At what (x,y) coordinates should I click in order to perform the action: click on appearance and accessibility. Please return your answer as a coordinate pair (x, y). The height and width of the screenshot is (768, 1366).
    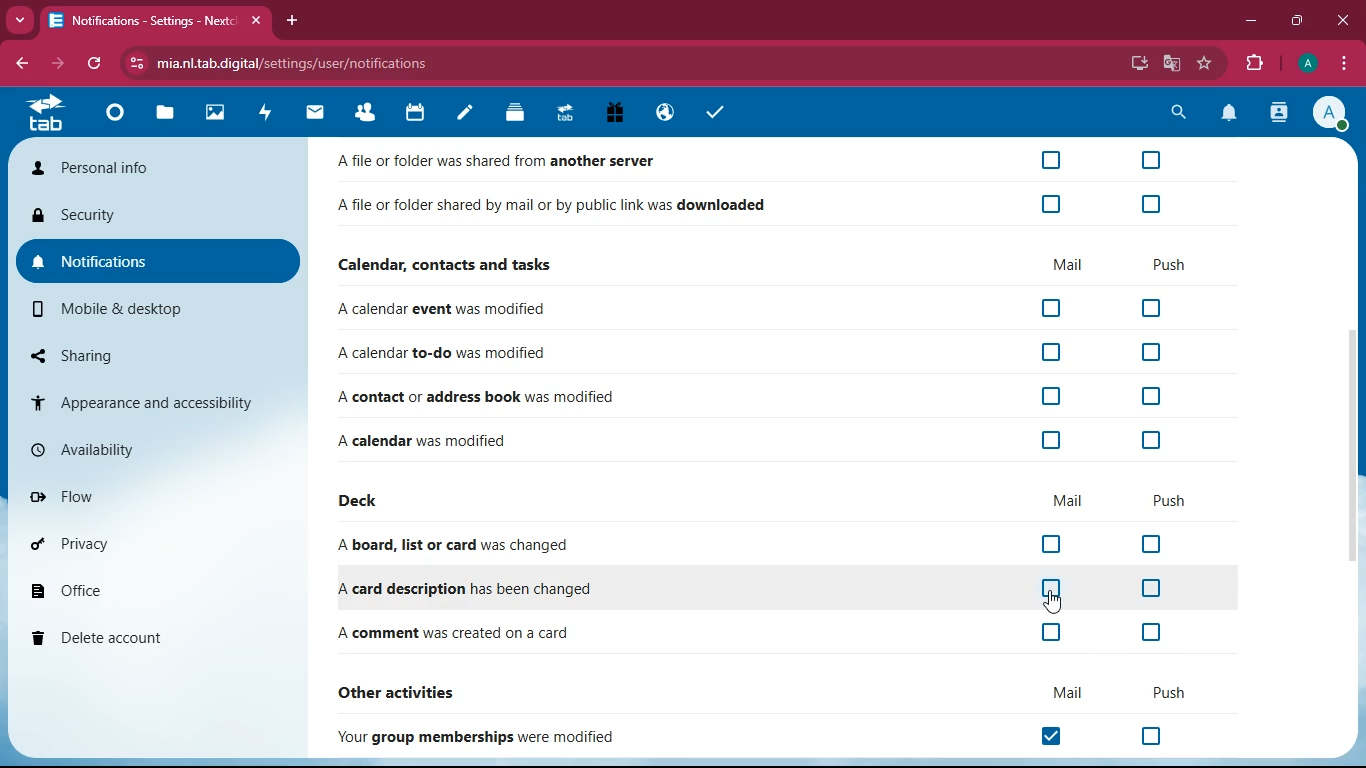
    Looking at the image, I should click on (157, 401).